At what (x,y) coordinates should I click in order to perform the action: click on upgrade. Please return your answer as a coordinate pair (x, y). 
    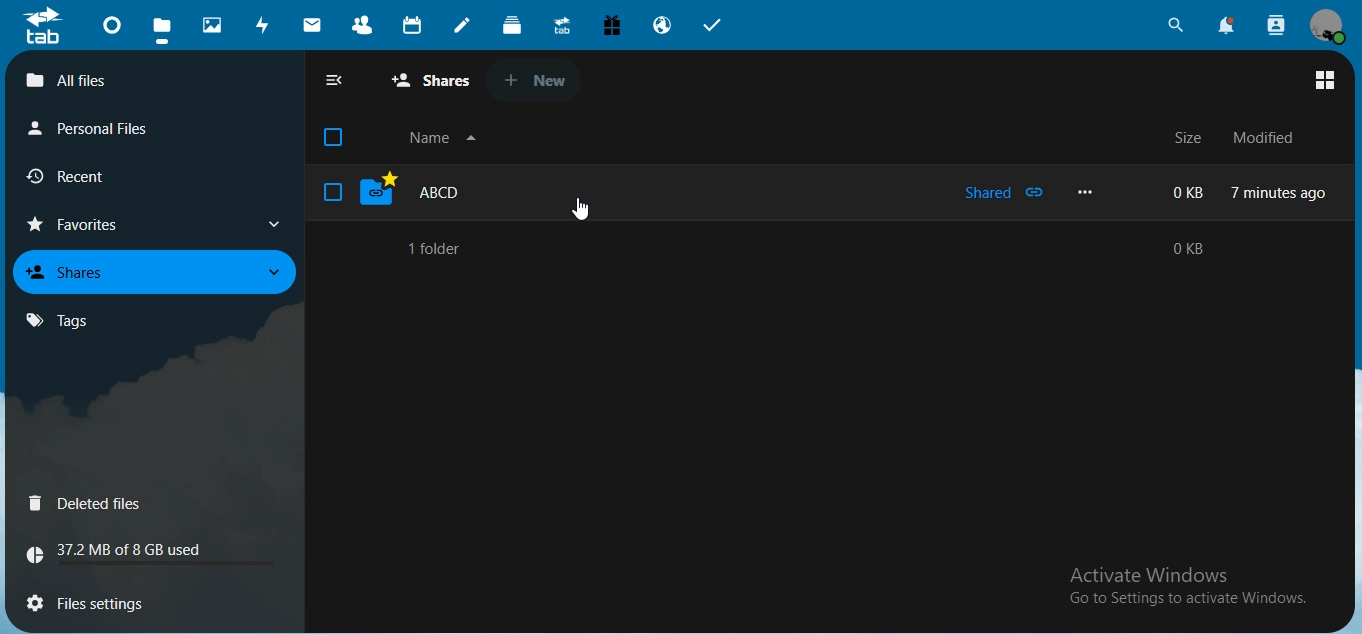
    Looking at the image, I should click on (565, 27).